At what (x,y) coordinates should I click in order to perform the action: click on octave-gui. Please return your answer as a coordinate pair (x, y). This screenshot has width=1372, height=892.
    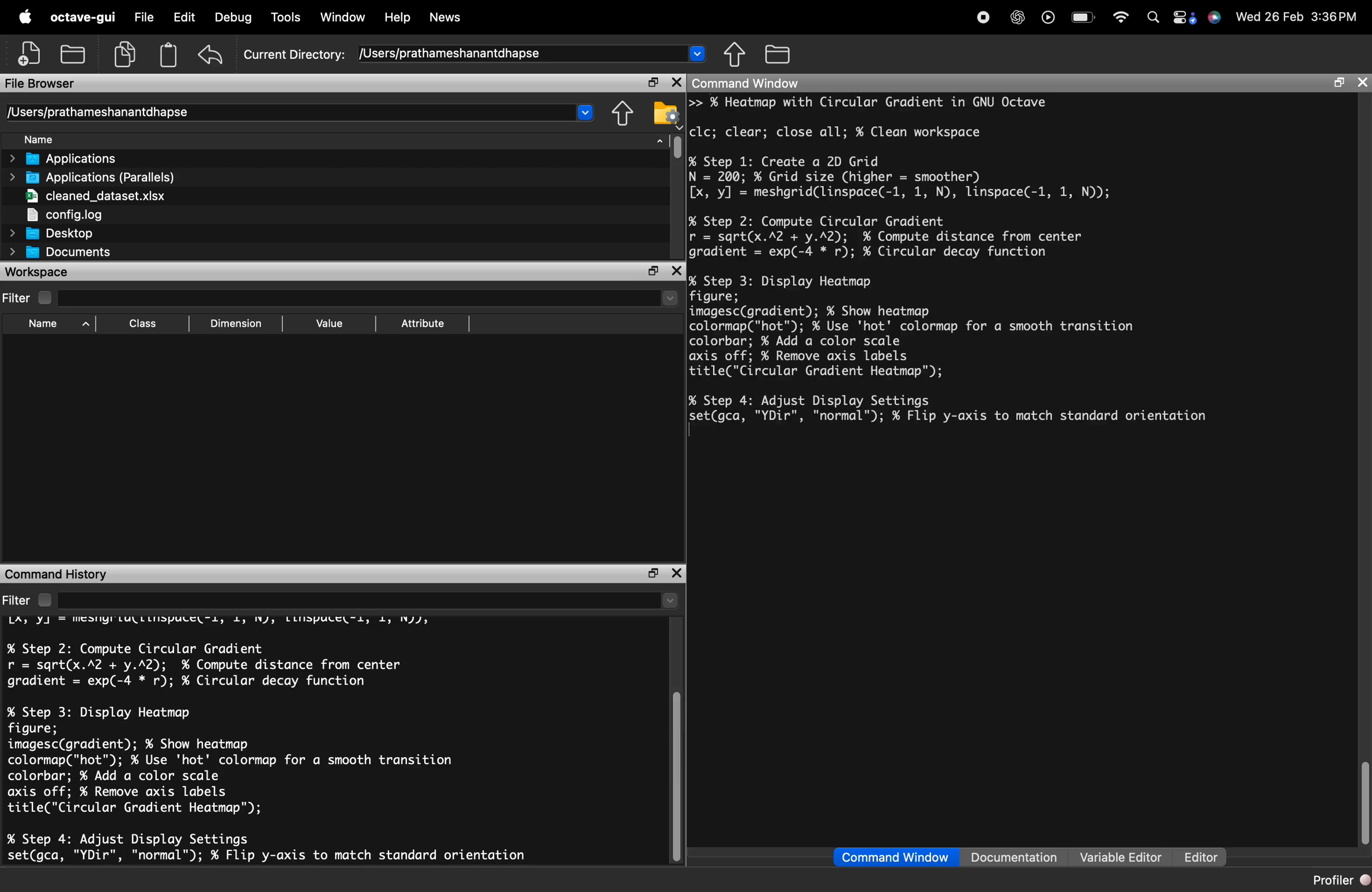
    Looking at the image, I should click on (84, 17).